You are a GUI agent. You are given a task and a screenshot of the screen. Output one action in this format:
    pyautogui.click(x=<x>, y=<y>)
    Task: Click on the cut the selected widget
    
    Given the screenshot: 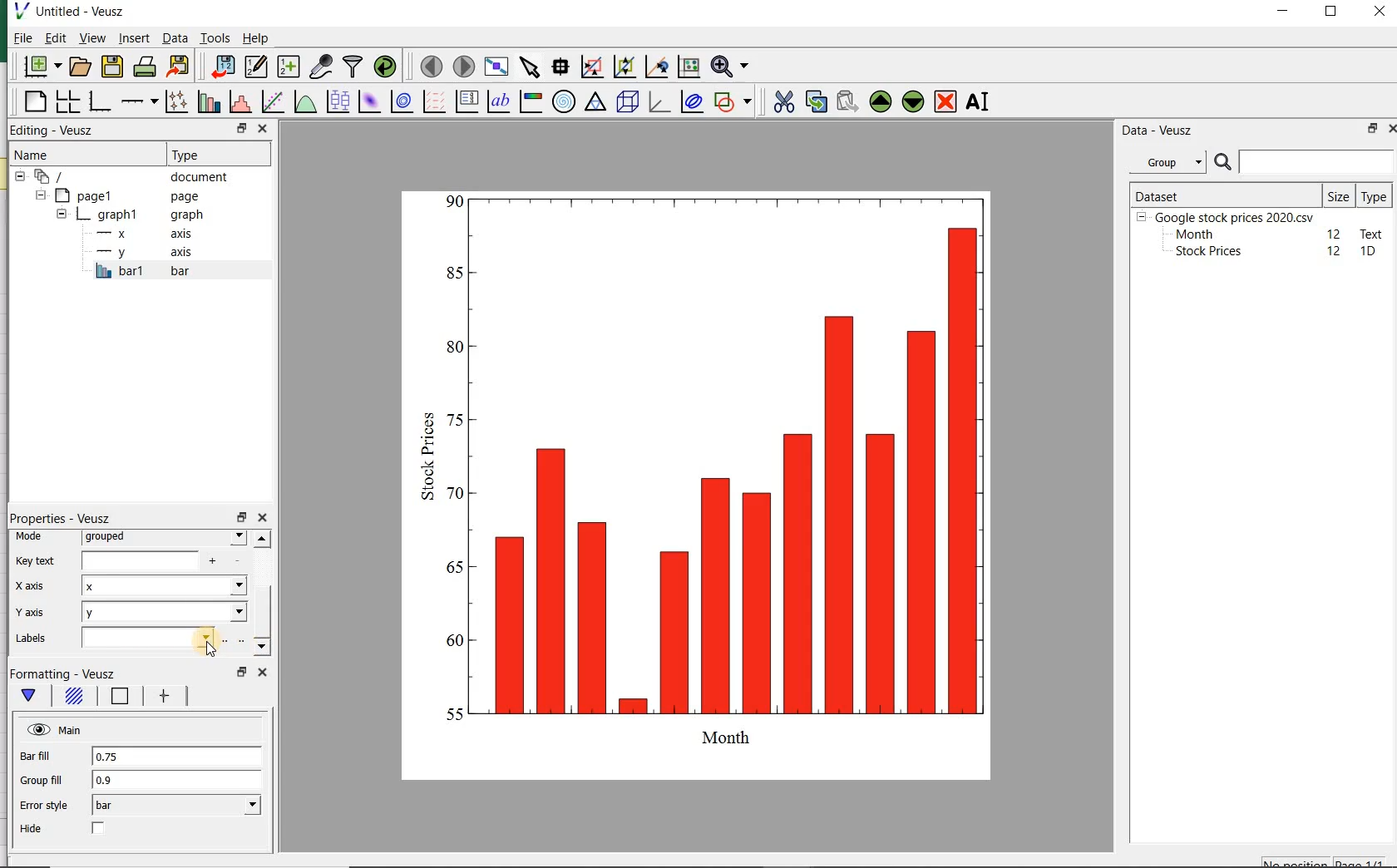 What is the action you would take?
    pyautogui.click(x=785, y=104)
    